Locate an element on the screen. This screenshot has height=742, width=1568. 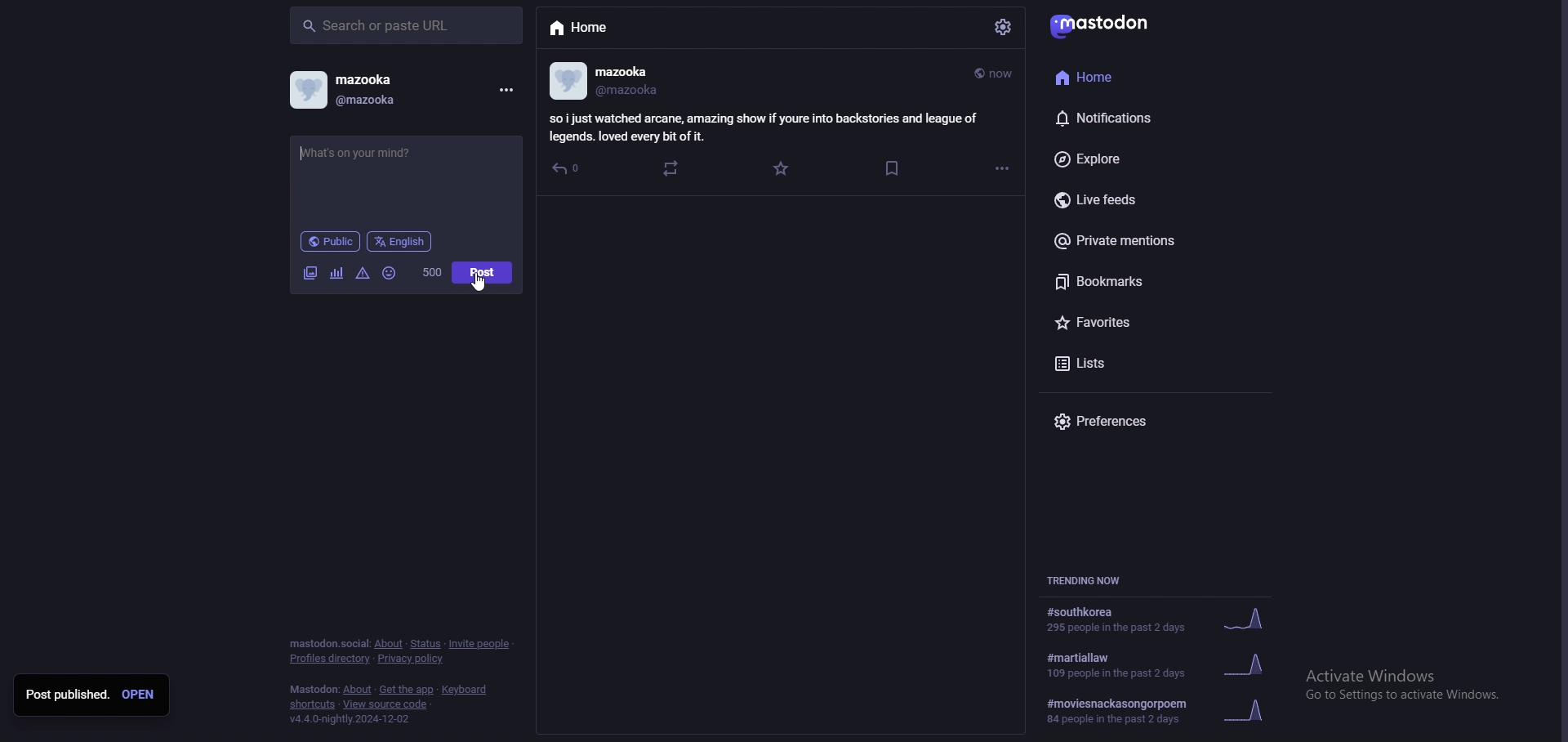
view source code is located at coordinates (386, 704).